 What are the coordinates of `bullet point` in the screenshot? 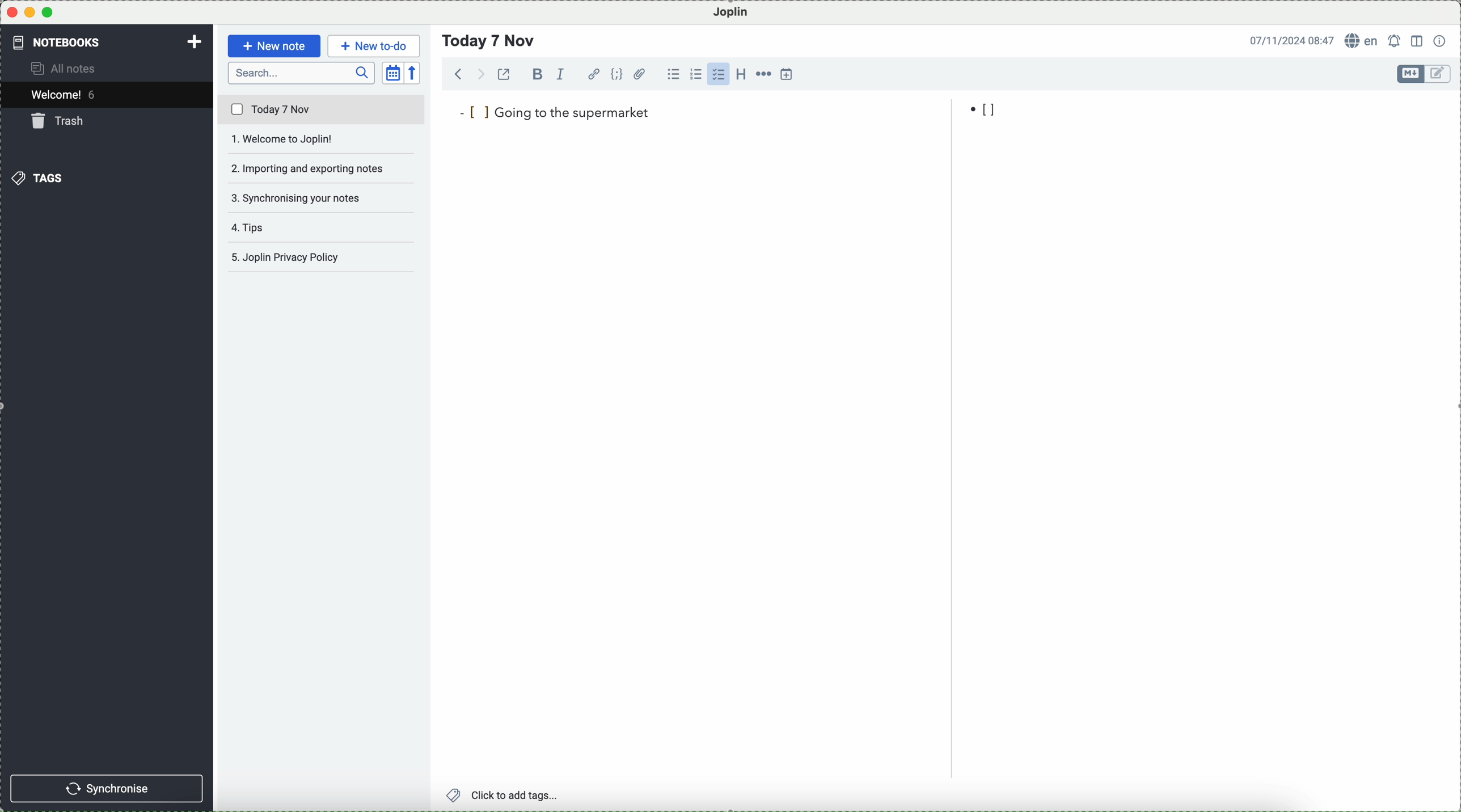 It's located at (985, 110).